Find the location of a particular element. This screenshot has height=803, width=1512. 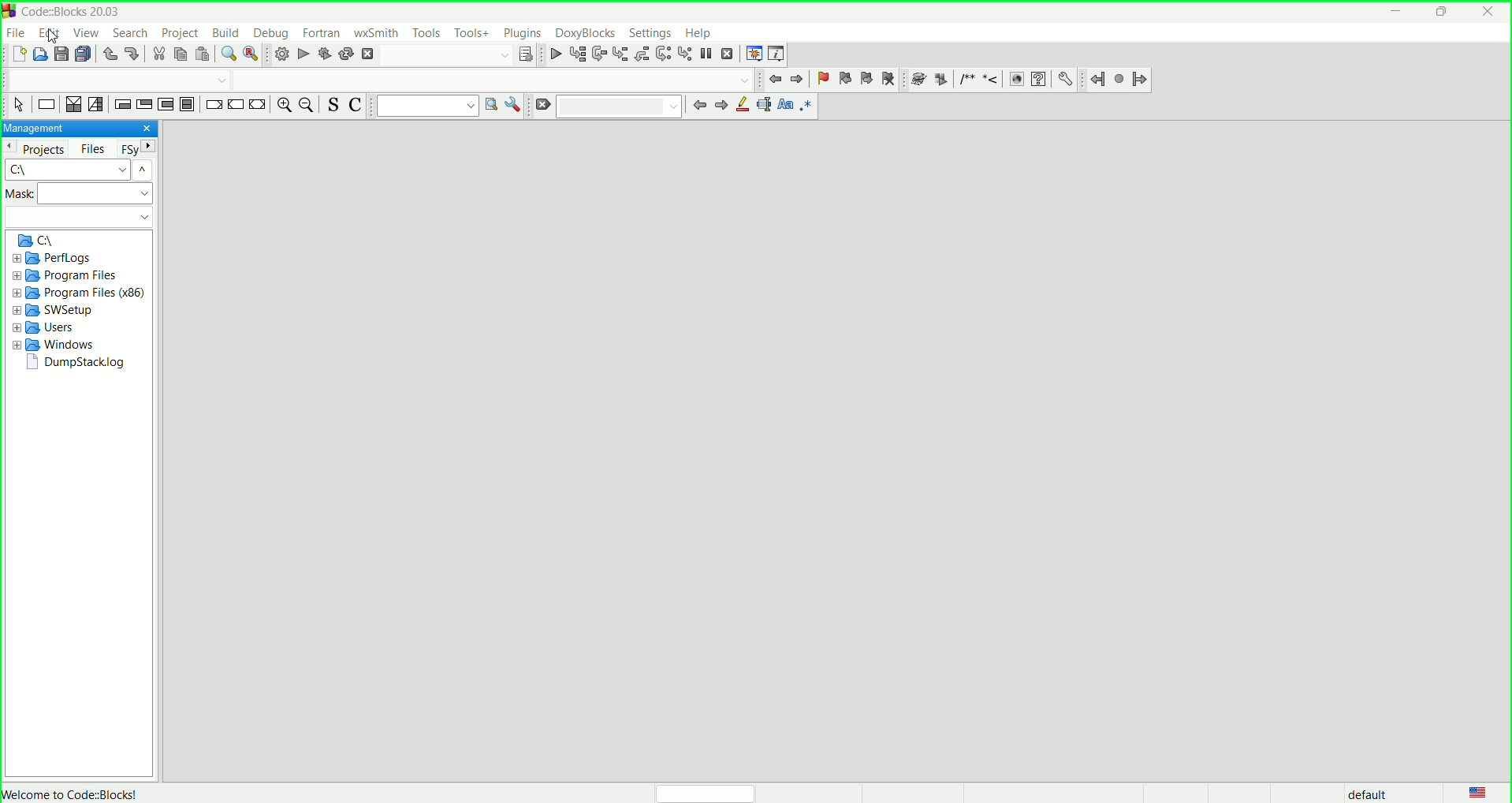

new file is located at coordinates (18, 55).